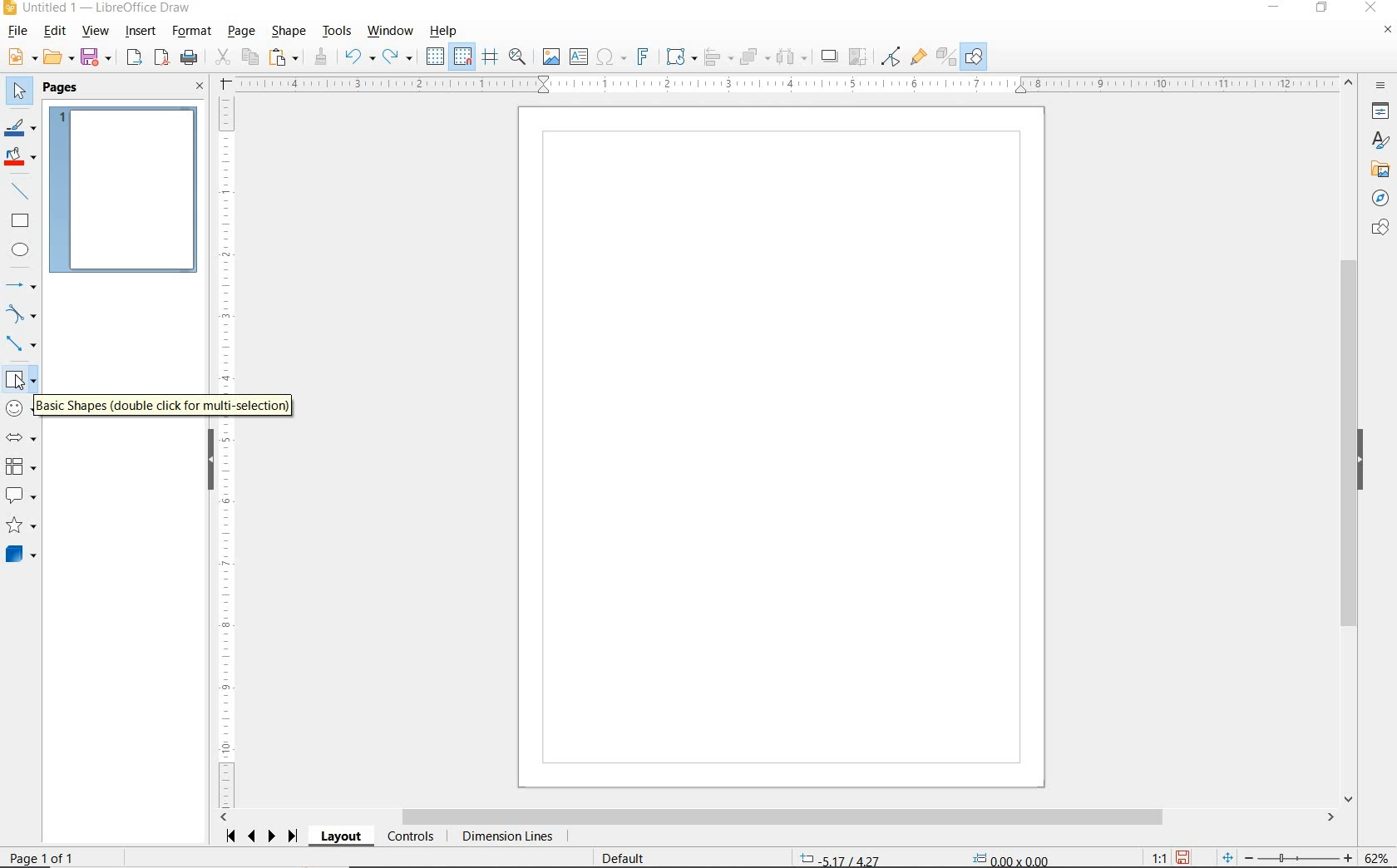 This screenshot has height=868, width=1397. What do you see at coordinates (284, 57) in the screenshot?
I see `PASTE` at bounding box center [284, 57].